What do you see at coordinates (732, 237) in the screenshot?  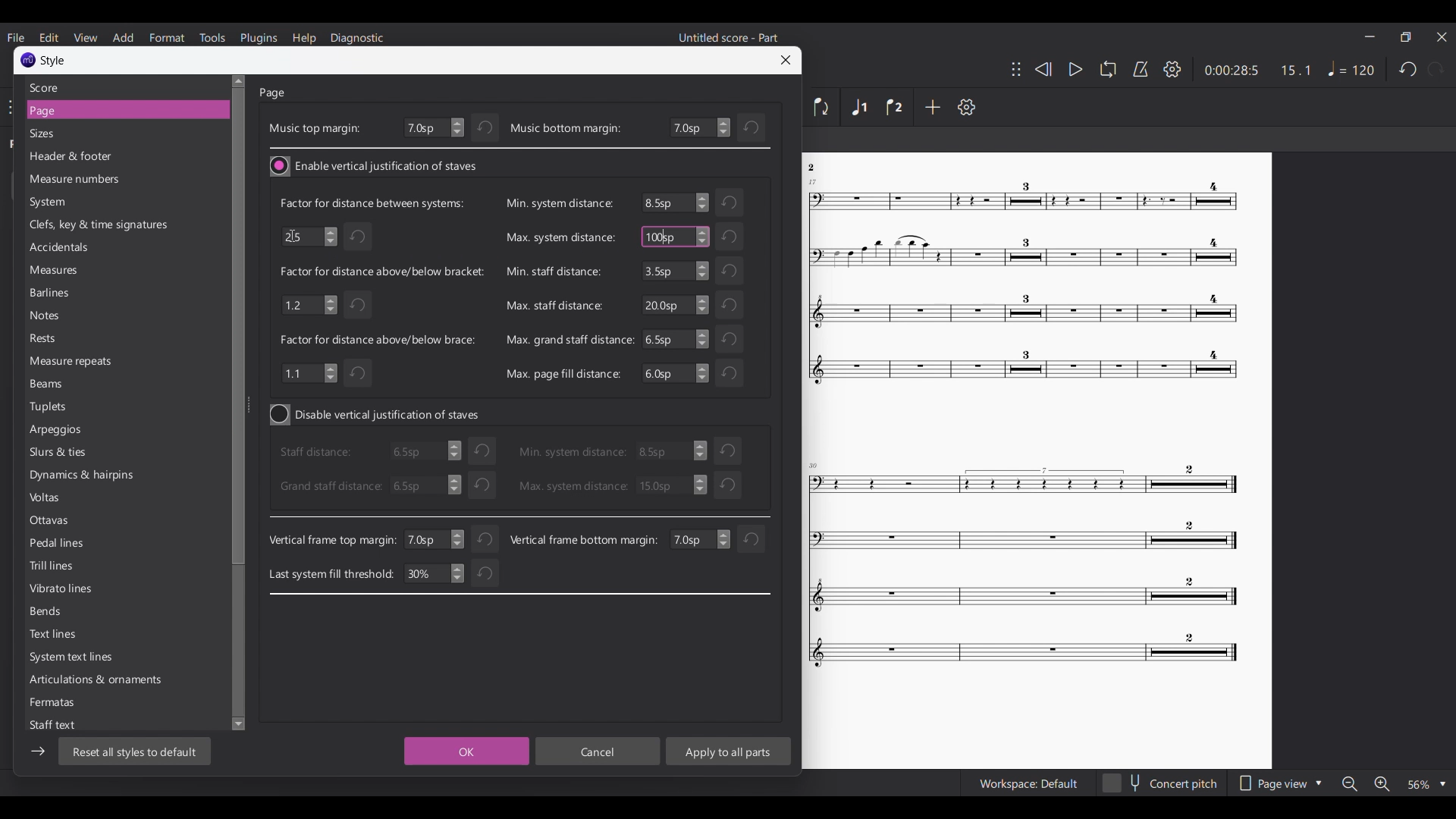 I see `Undo` at bounding box center [732, 237].